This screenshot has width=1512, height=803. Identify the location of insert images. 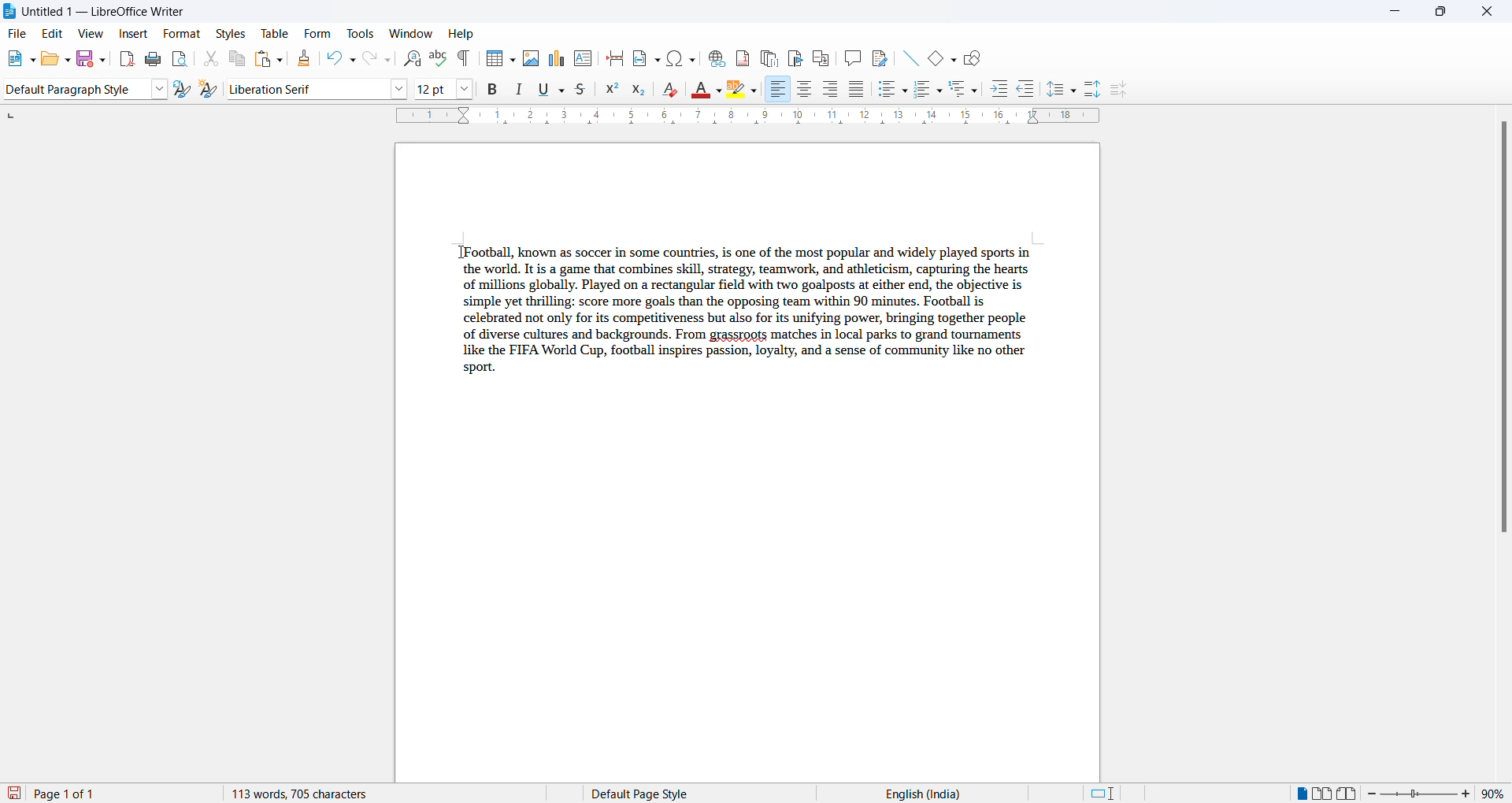
(533, 59).